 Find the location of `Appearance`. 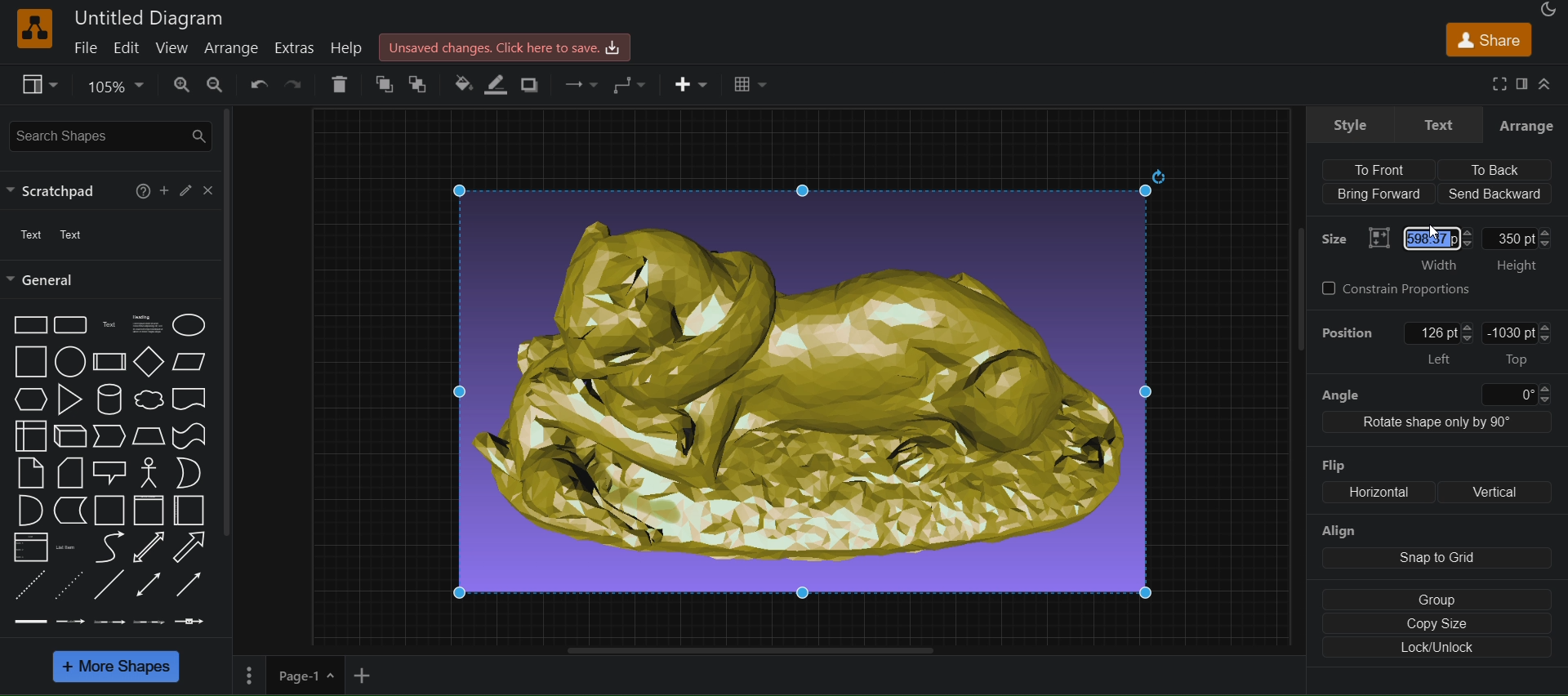

Appearance is located at coordinates (1547, 9).